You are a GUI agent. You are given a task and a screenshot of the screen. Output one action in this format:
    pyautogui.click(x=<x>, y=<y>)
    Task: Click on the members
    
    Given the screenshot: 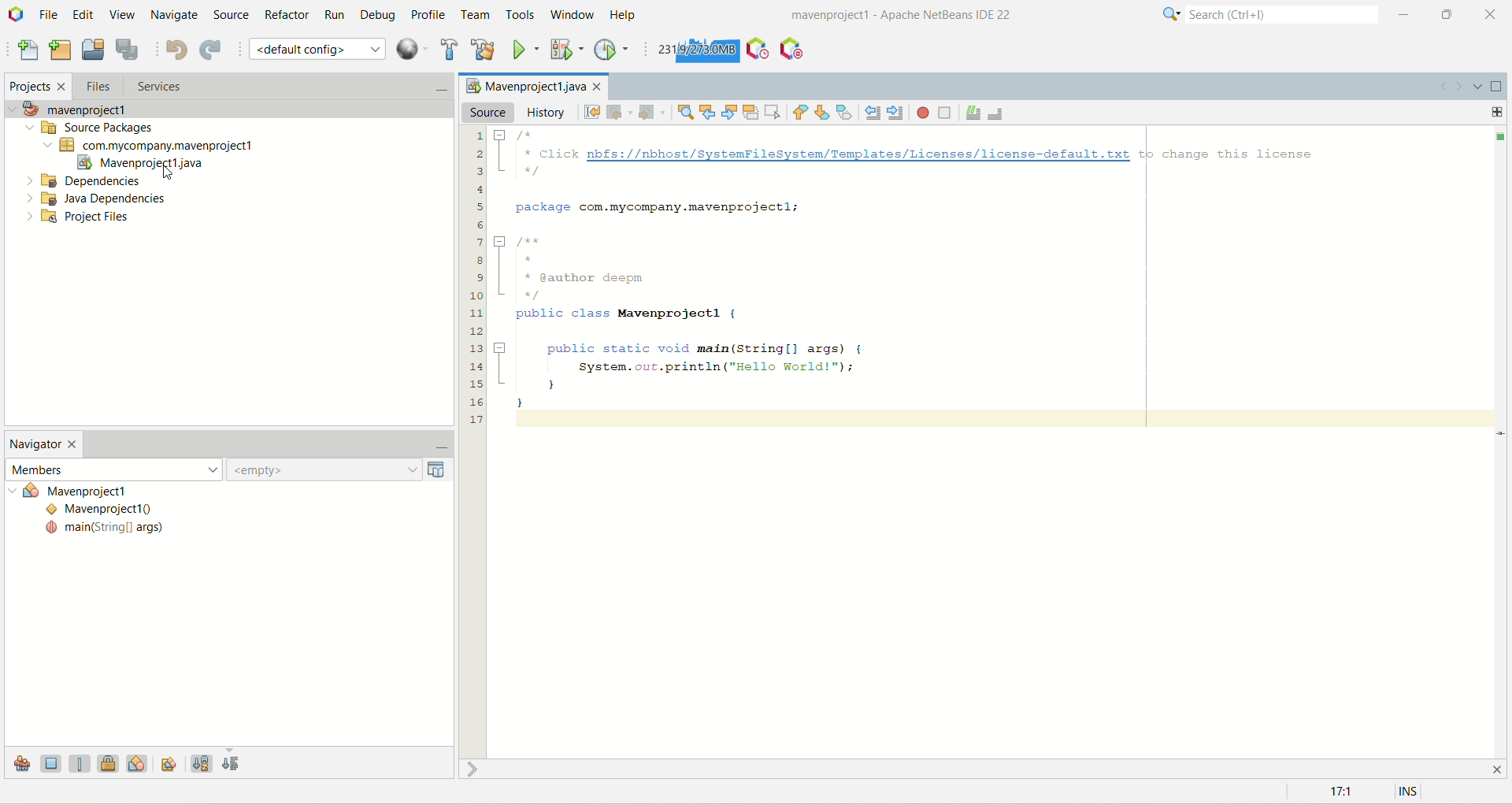 What is the action you would take?
    pyautogui.click(x=113, y=468)
    